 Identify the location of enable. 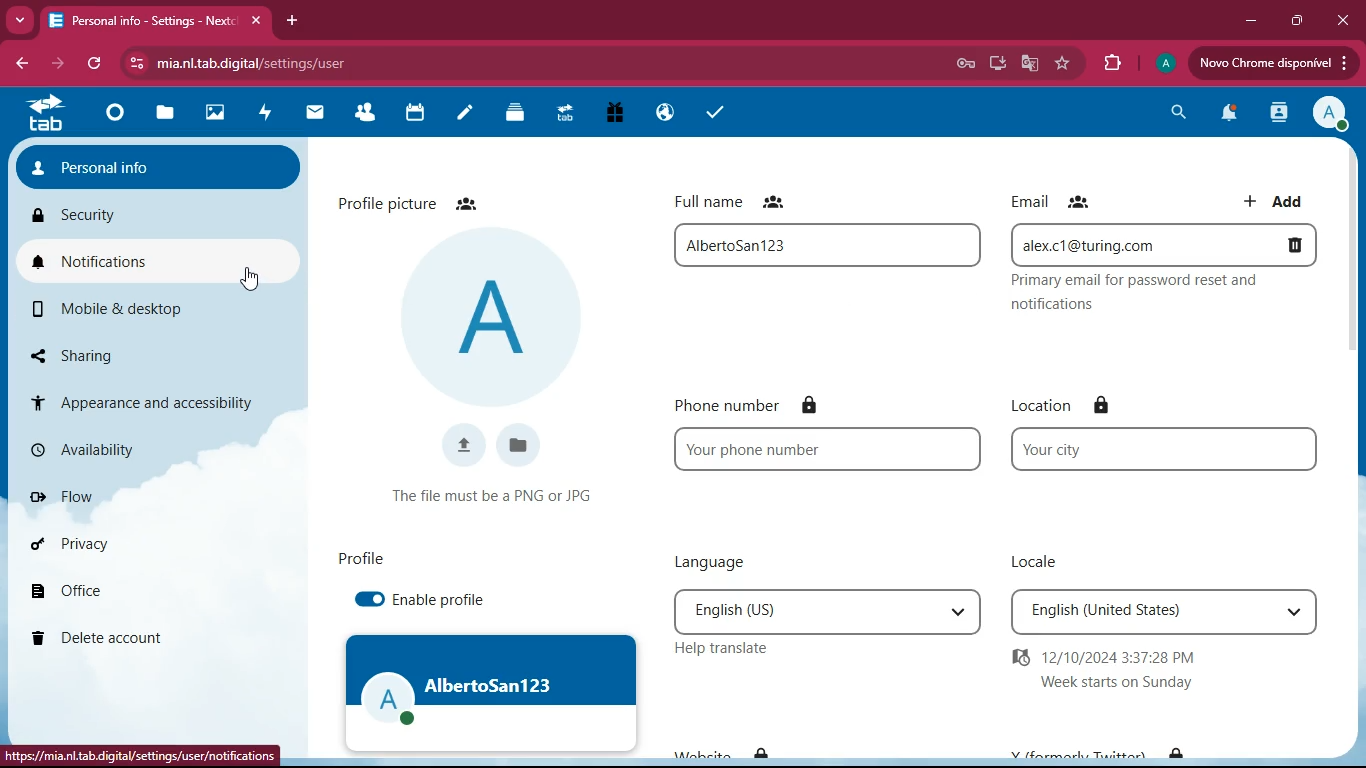
(369, 600).